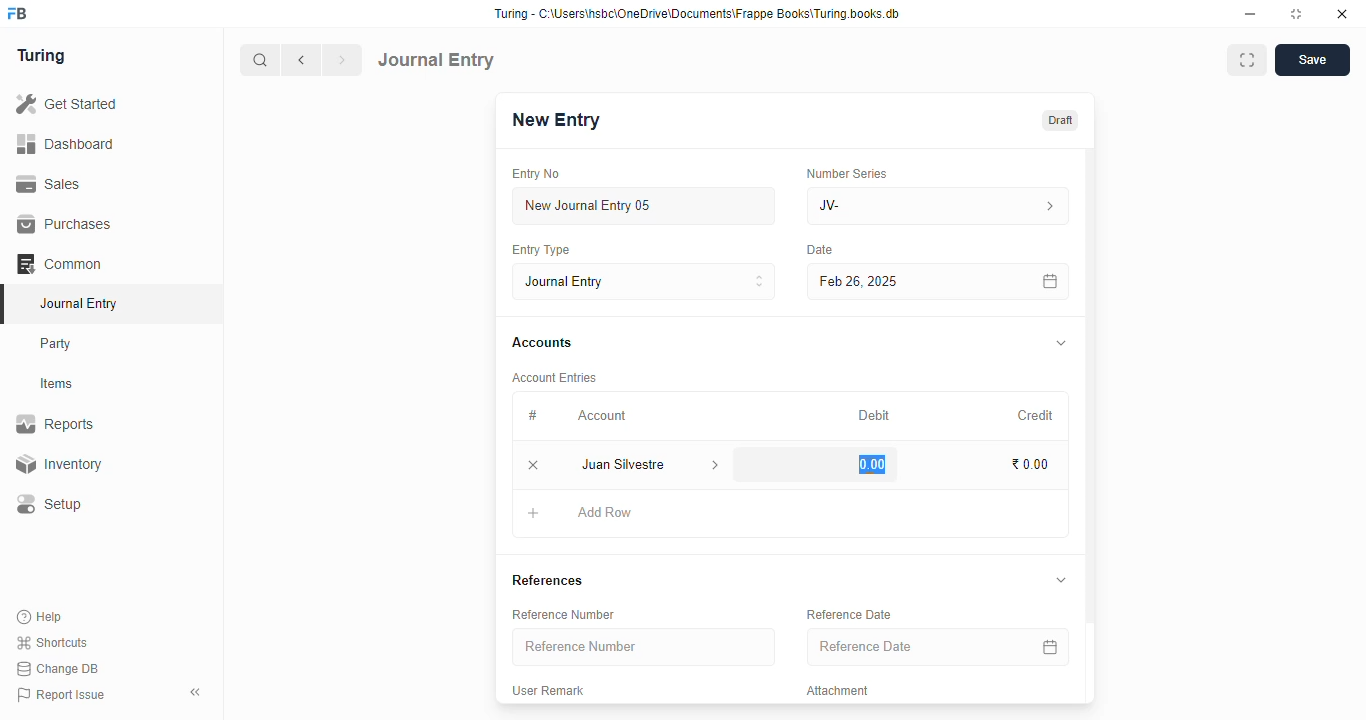 The image size is (1366, 720). I want to click on change DB, so click(58, 669).